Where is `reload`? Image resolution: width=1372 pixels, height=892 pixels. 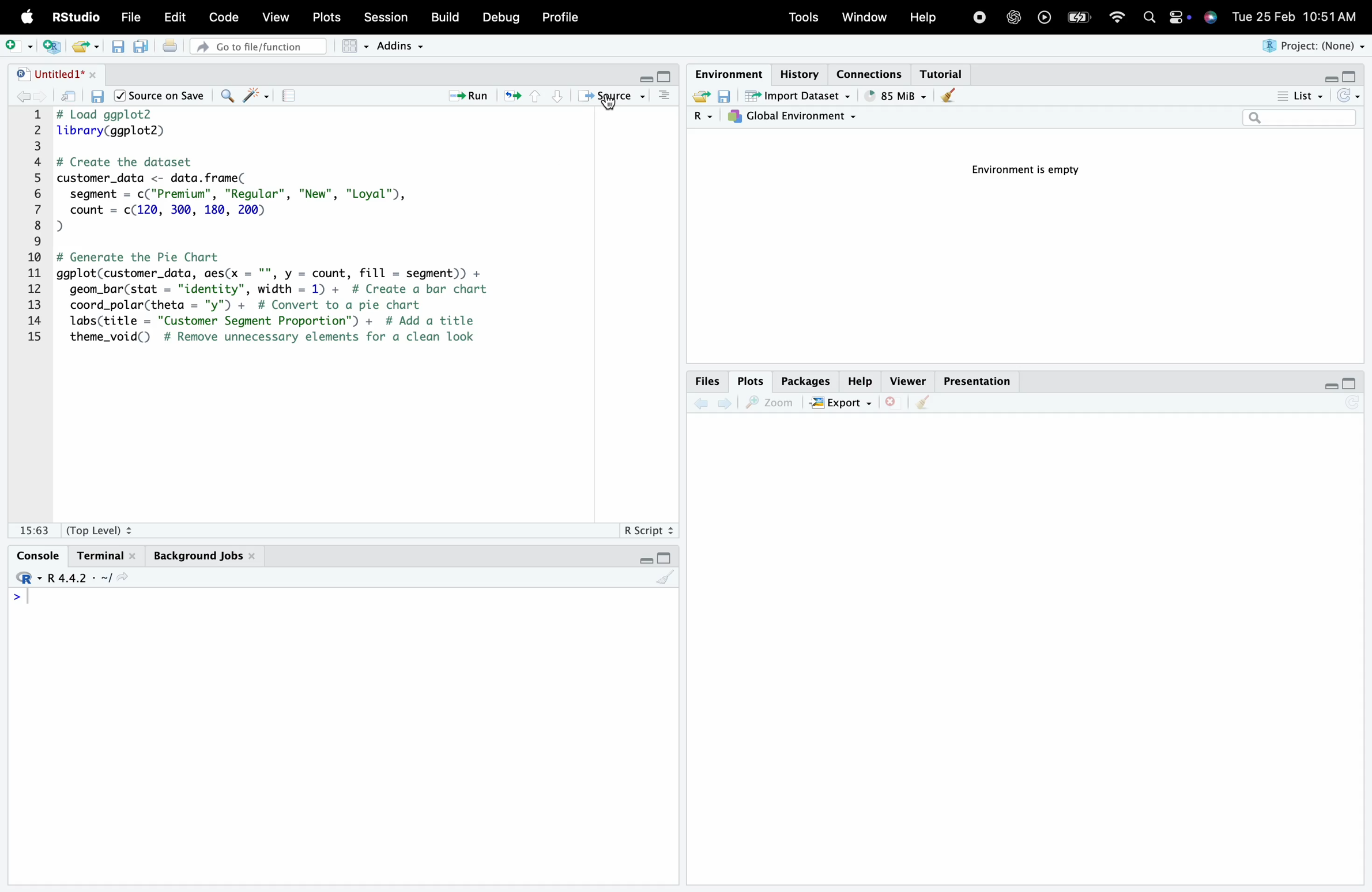 reload is located at coordinates (1351, 96).